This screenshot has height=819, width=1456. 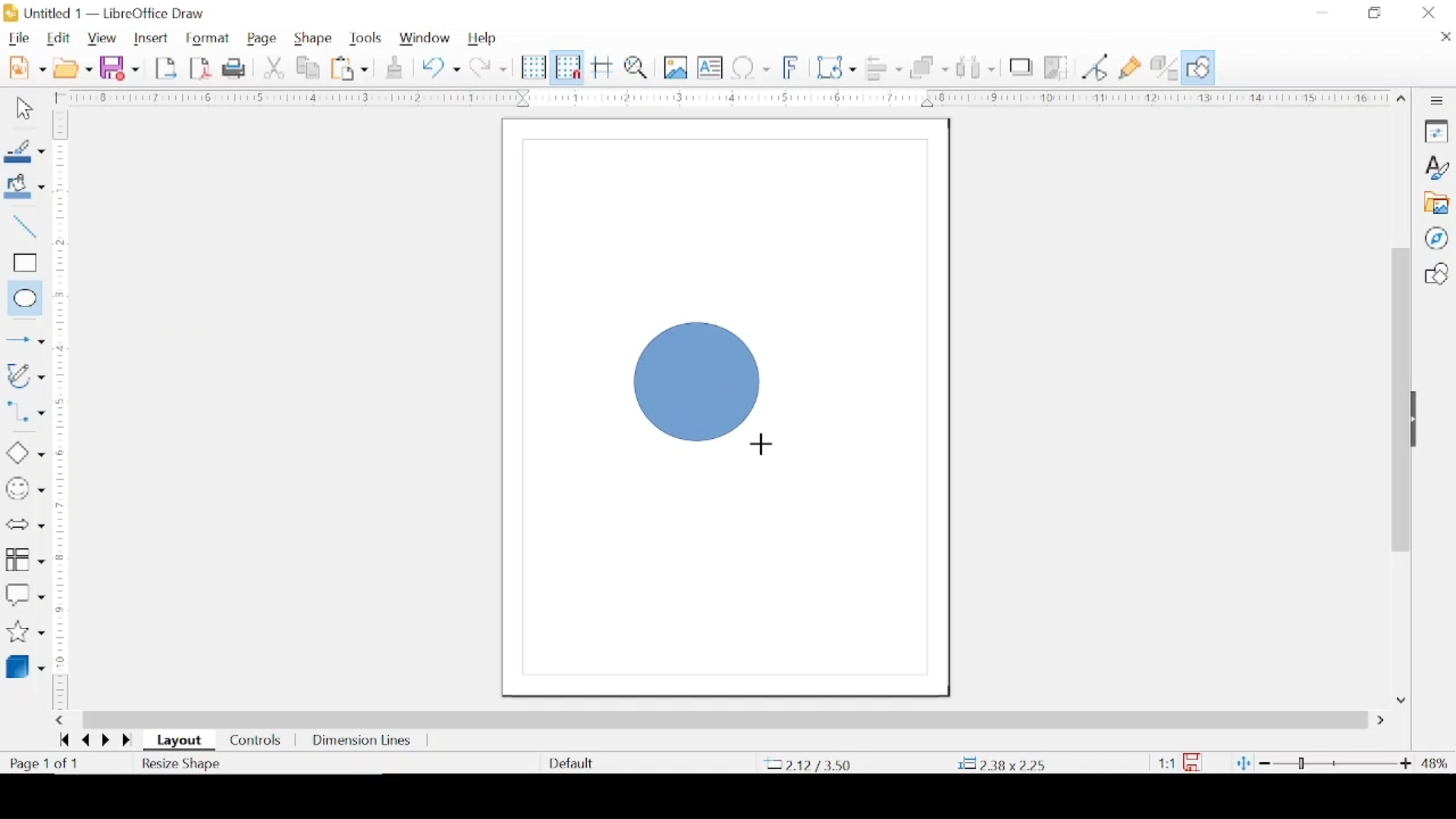 What do you see at coordinates (1398, 700) in the screenshot?
I see `scroll down arrow` at bounding box center [1398, 700].